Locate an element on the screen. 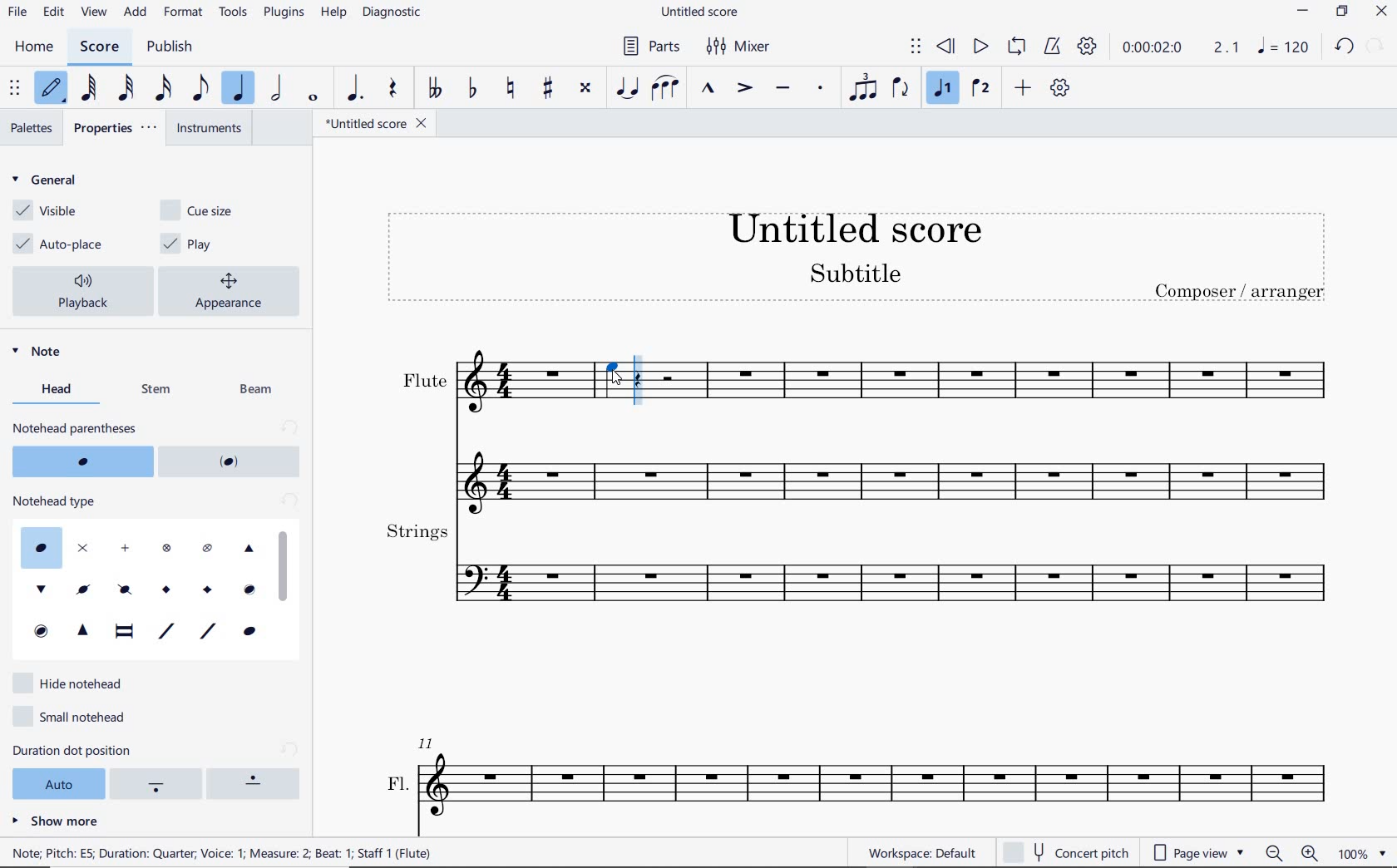 The image size is (1397, 868). ADD is located at coordinates (1025, 87).